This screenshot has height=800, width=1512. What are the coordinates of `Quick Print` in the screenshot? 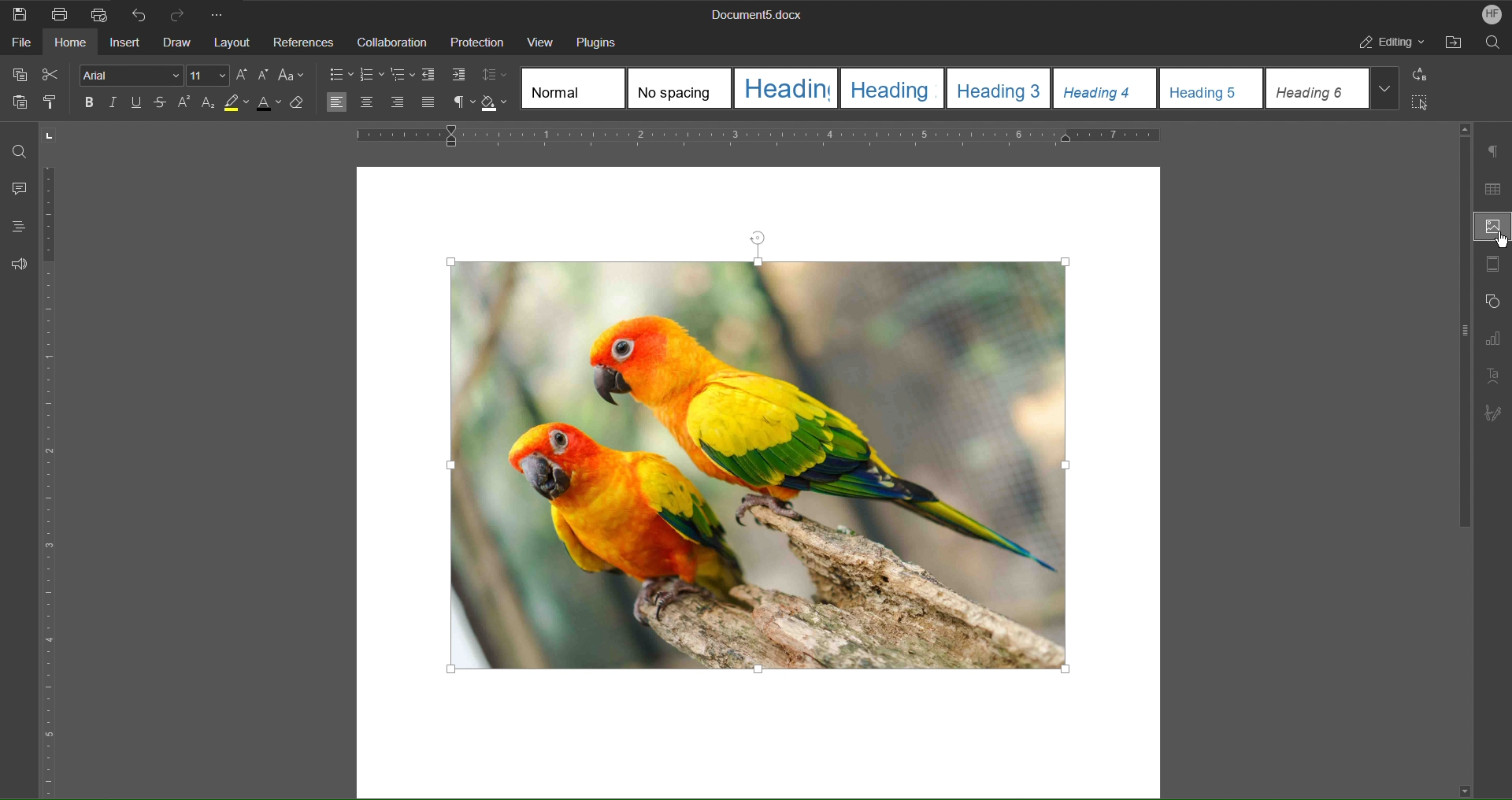 It's located at (98, 13).